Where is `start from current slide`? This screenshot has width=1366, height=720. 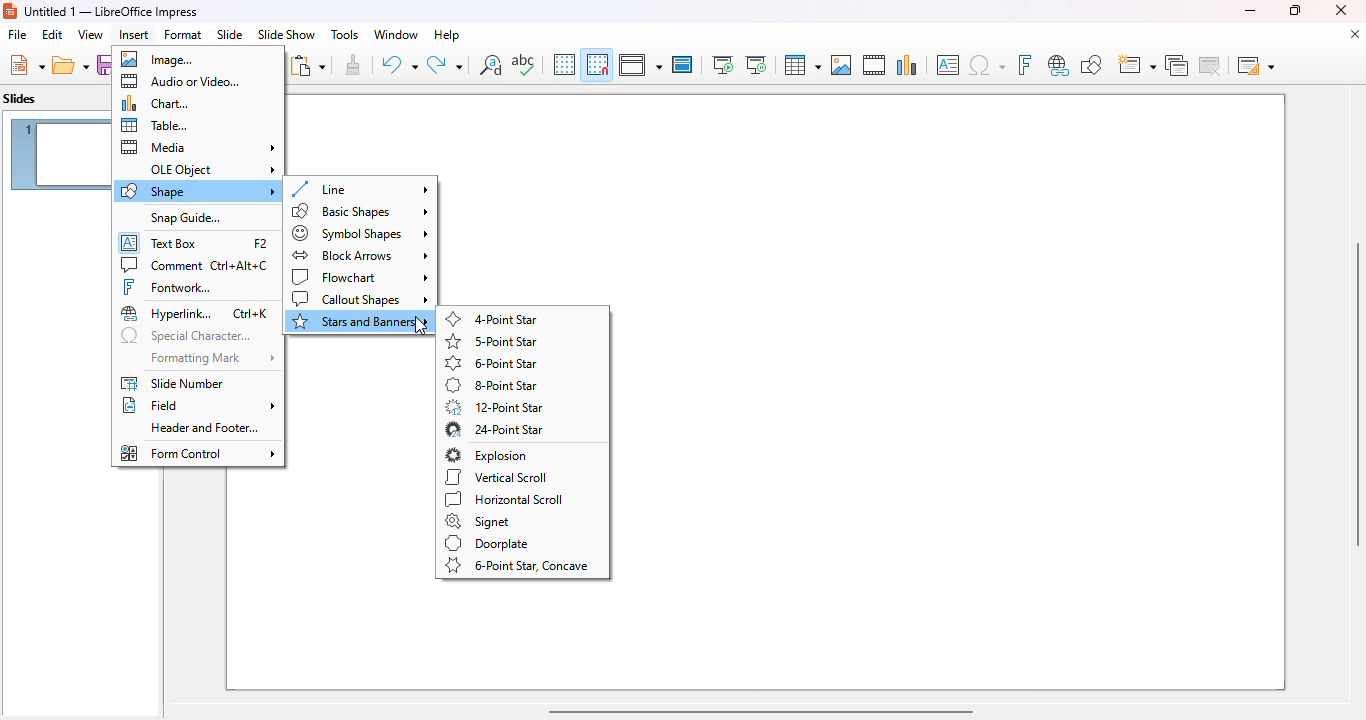
start from current slide is located at coordinates (756, 65).